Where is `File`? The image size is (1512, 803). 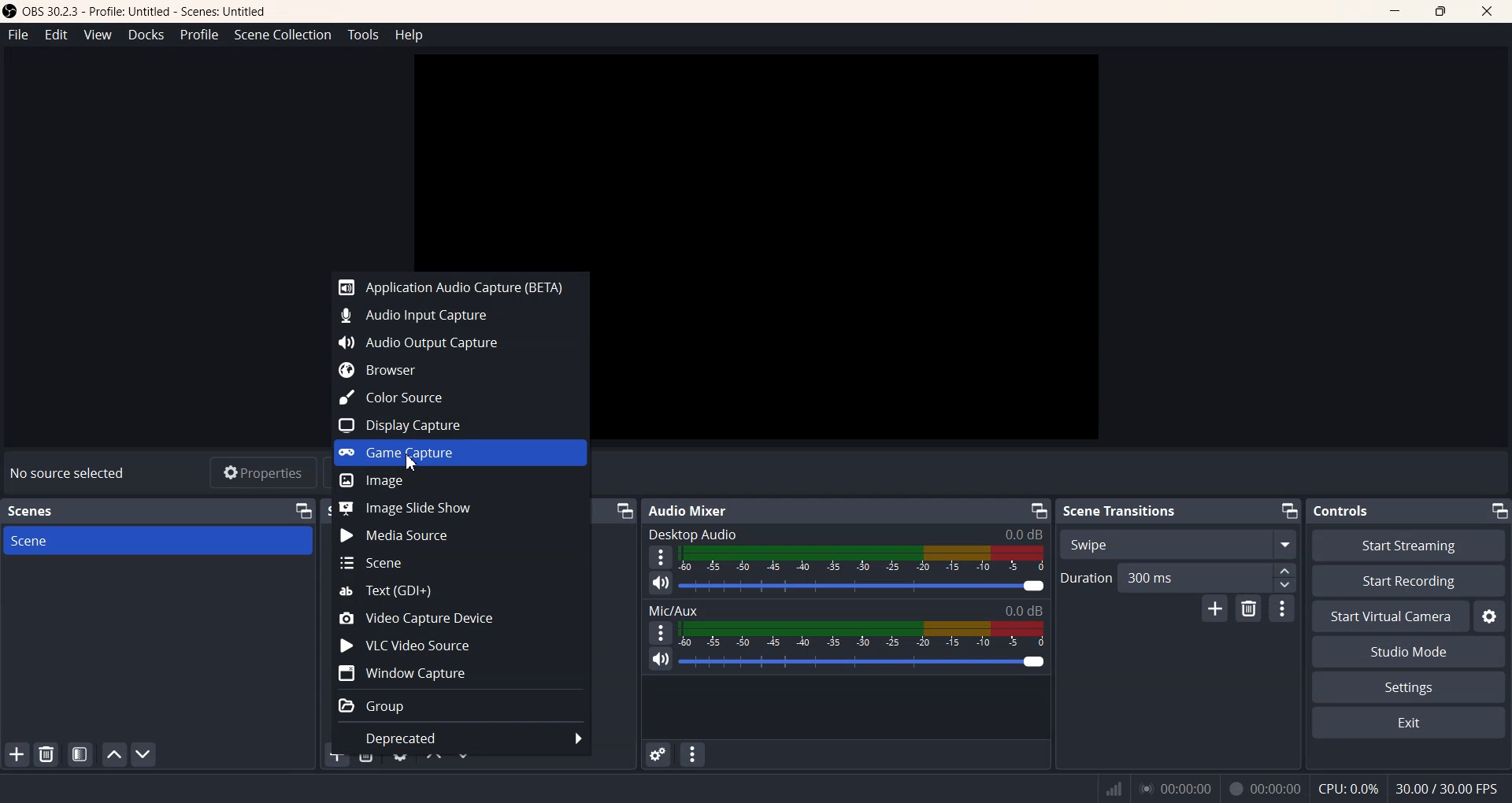
File is located at coordinates (19, 34).